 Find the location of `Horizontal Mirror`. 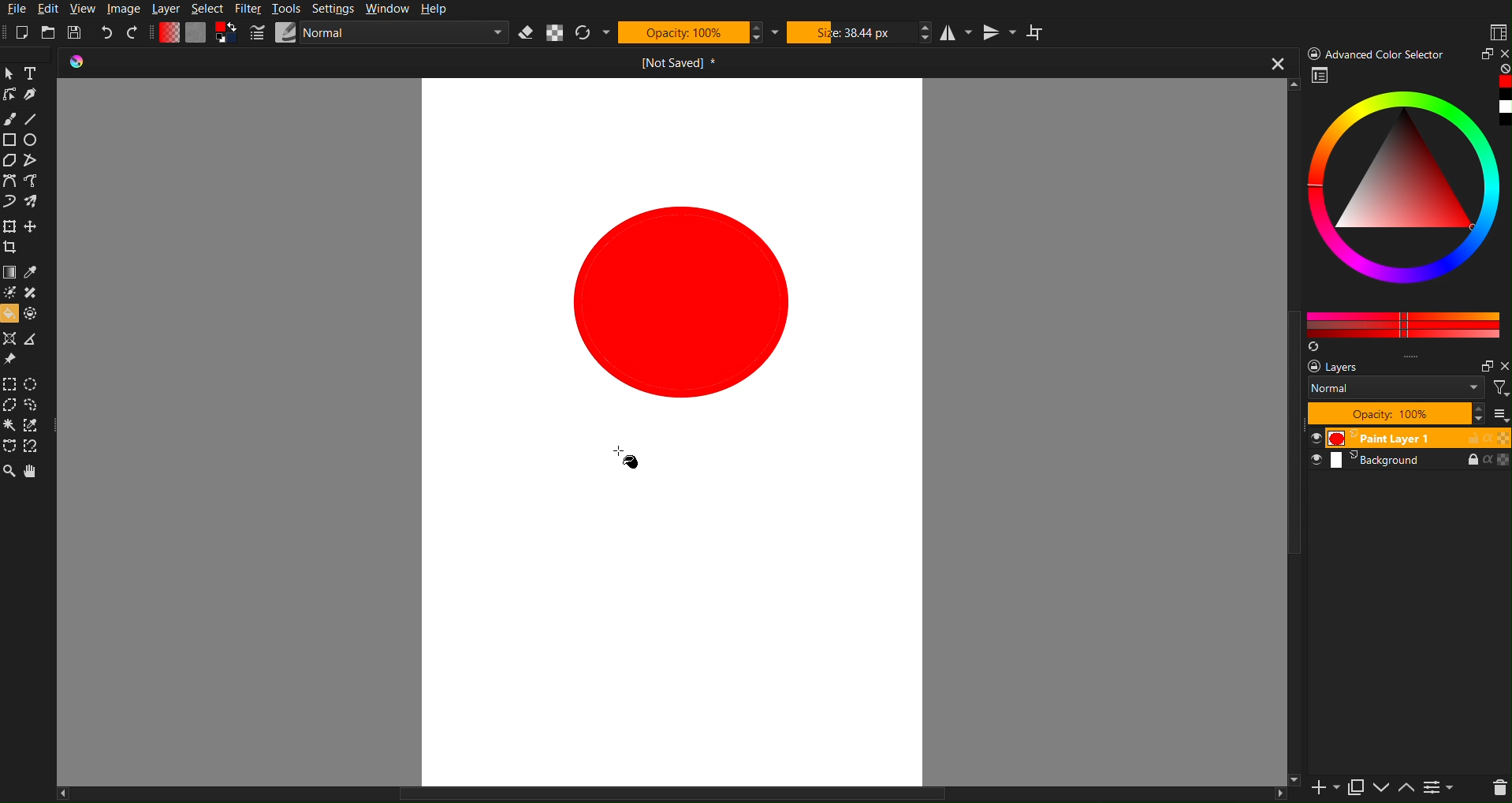

Horizontal Mirror is located at coordinates (960, 33).